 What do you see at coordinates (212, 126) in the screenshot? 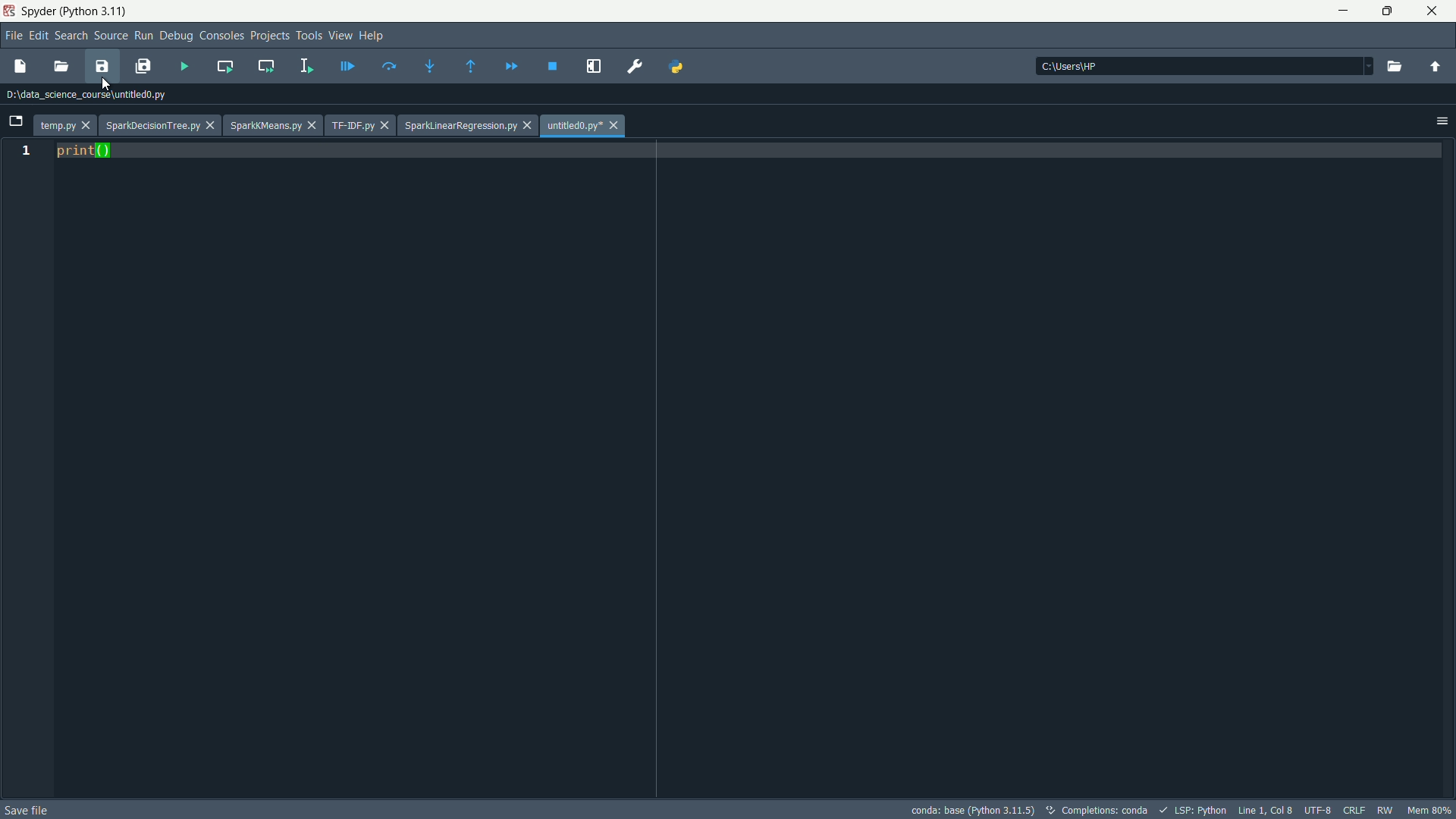
I see `close` at bounding box center [212, 126].